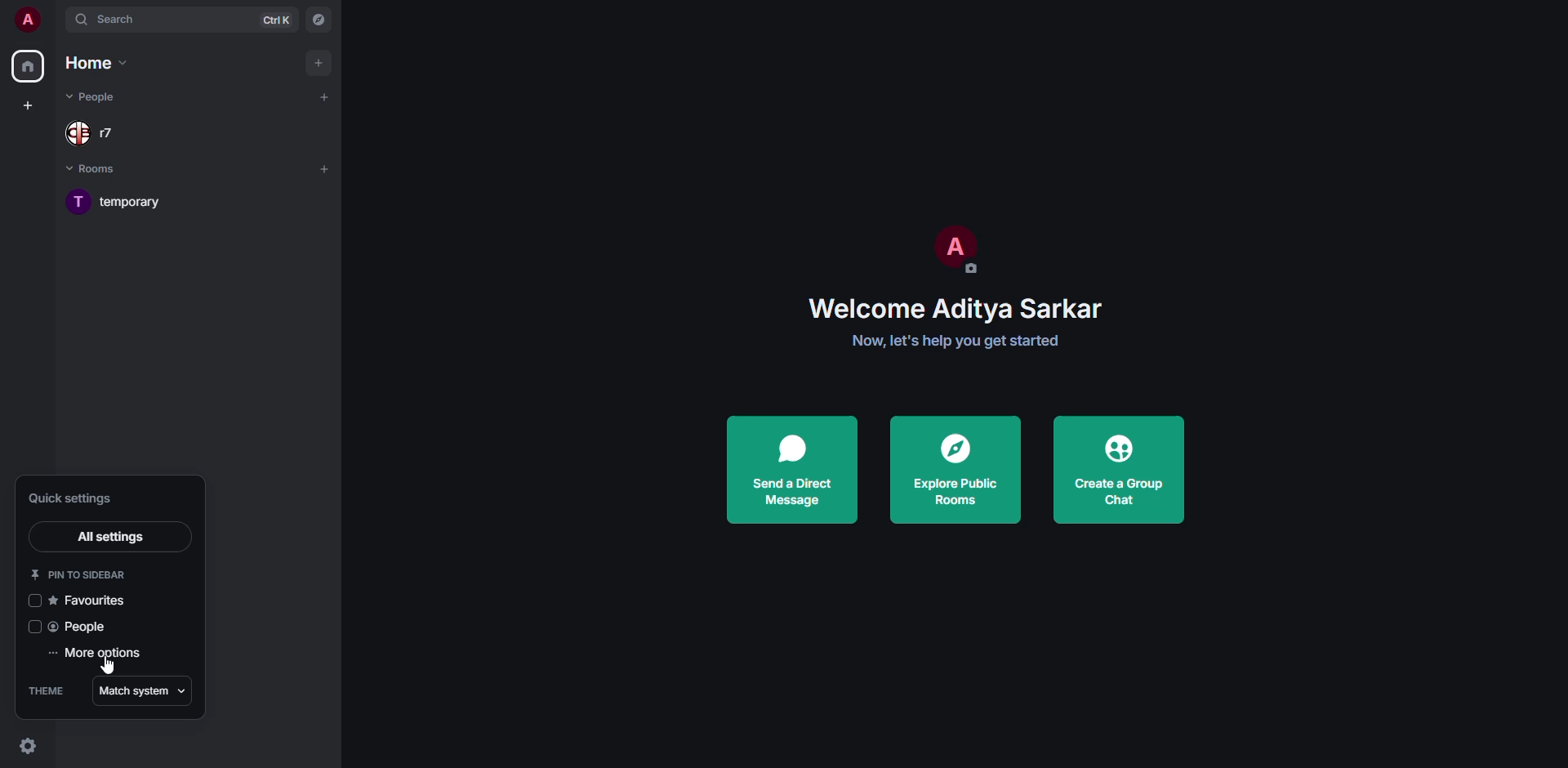 The width and height of the screenshot is (1568, 768). What do you see at coordinates (101, 63) in the screenshot?
I see `home` at bounding box center [101, 63].